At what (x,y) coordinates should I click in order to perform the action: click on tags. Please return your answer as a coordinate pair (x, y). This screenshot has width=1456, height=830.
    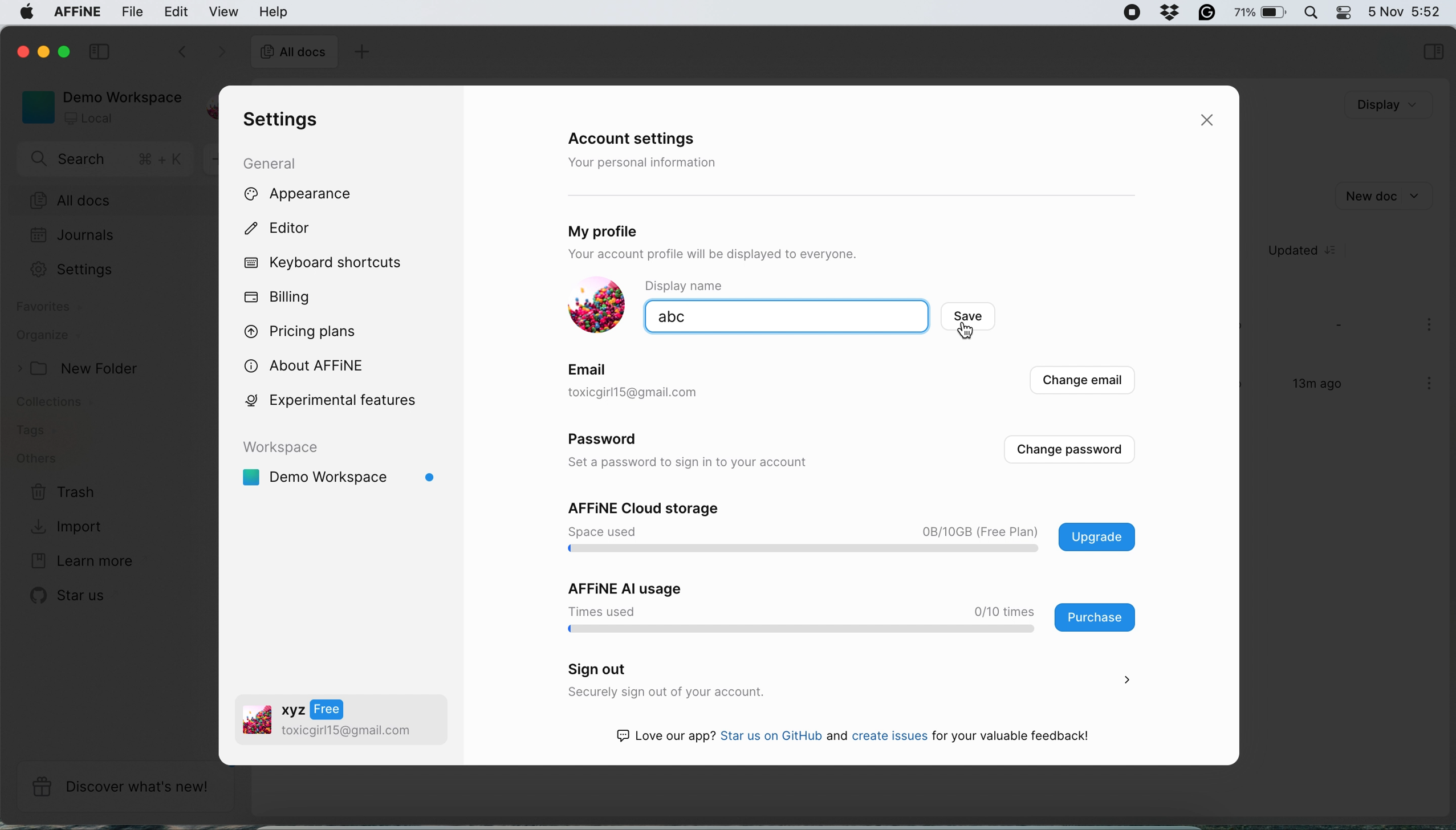
    Looking at the image, I should click on (35, 431).